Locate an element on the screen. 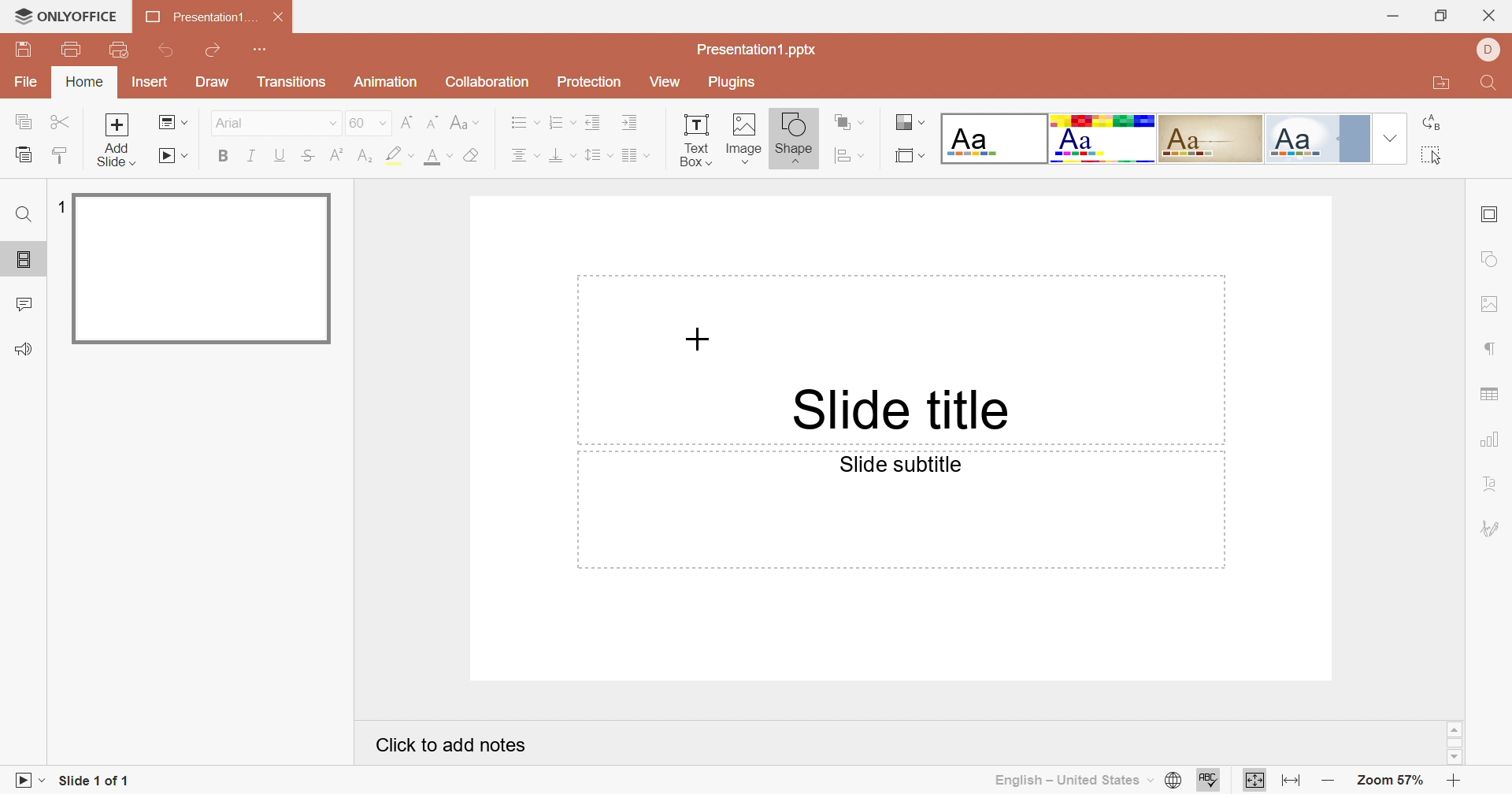  ONLYOFFICE is located at coordinates (66, 15).